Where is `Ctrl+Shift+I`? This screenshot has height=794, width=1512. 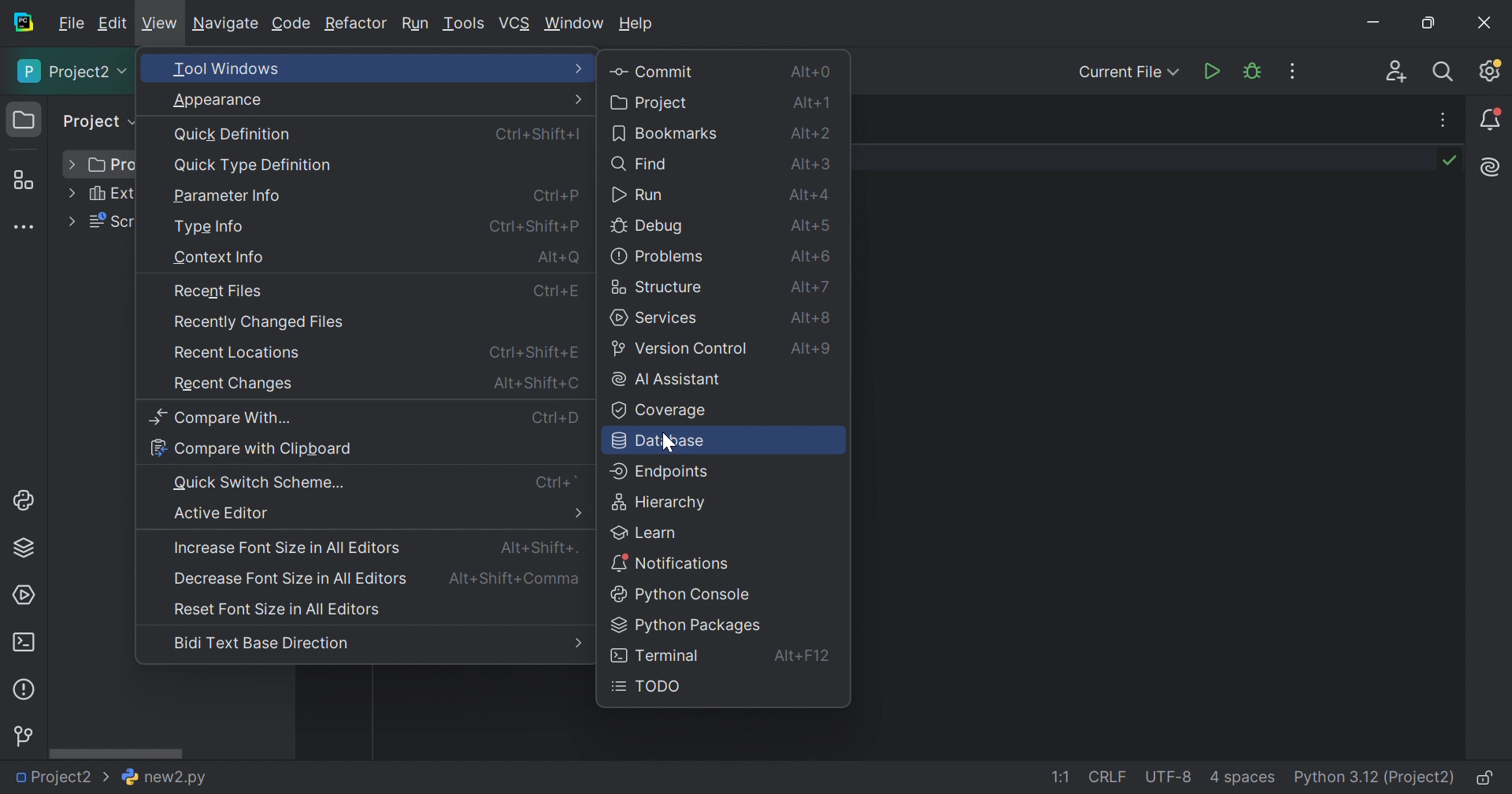 Ctrl+Shift+I is located at coordinates (542, 135).